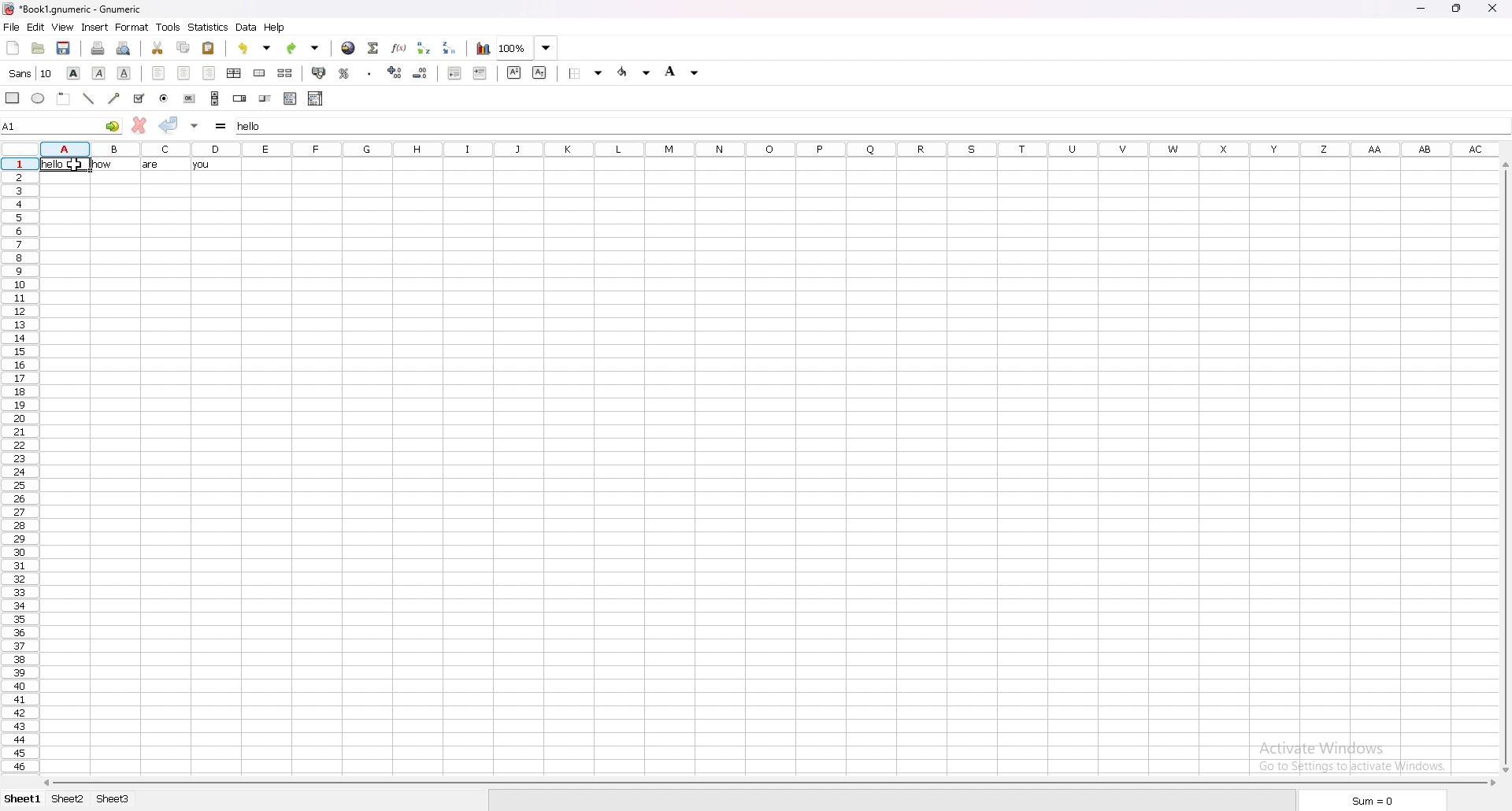  I want to click on zoom, so click(528, 48).